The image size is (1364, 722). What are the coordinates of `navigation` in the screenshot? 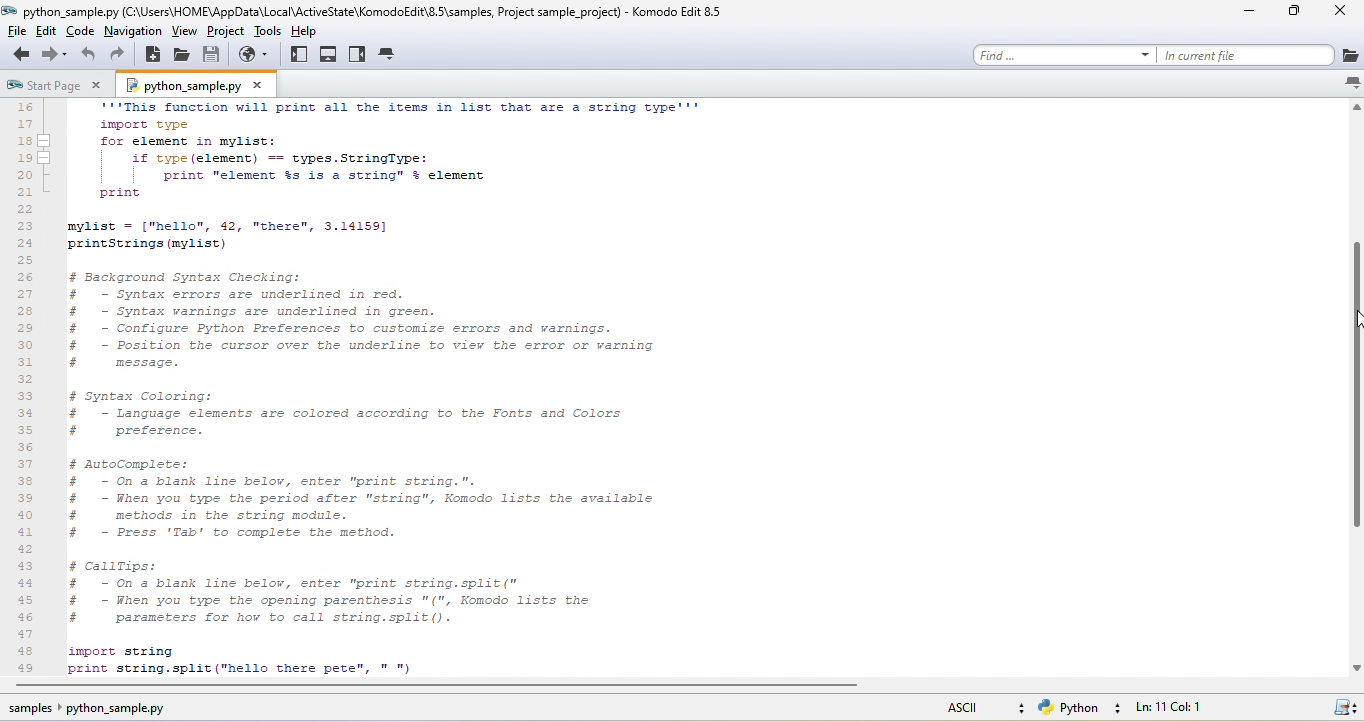 It's located at (132, 31).